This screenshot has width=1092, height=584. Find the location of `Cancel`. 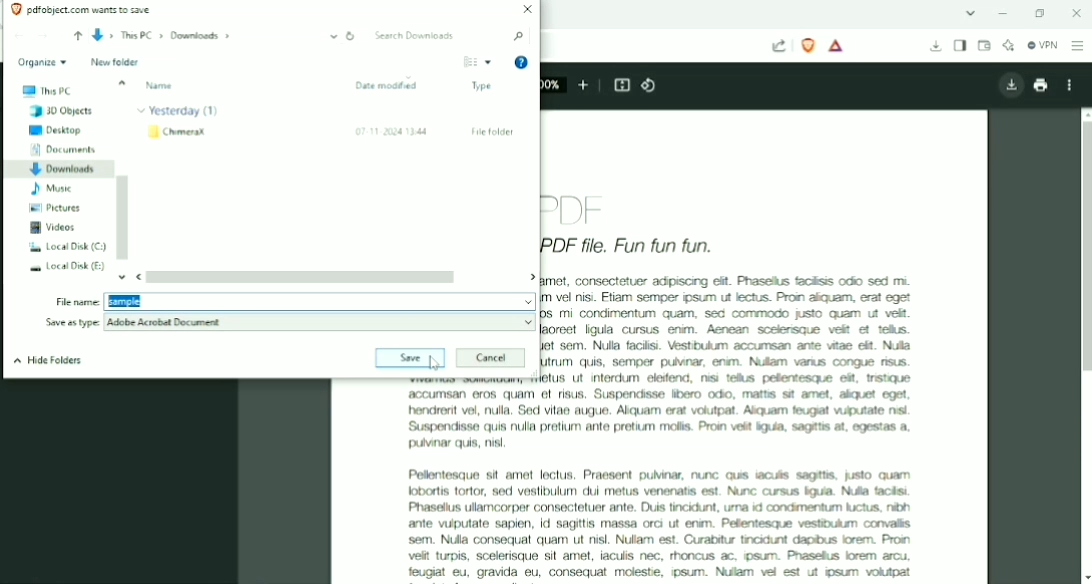

Cancel is located at coordinates (491, 358).